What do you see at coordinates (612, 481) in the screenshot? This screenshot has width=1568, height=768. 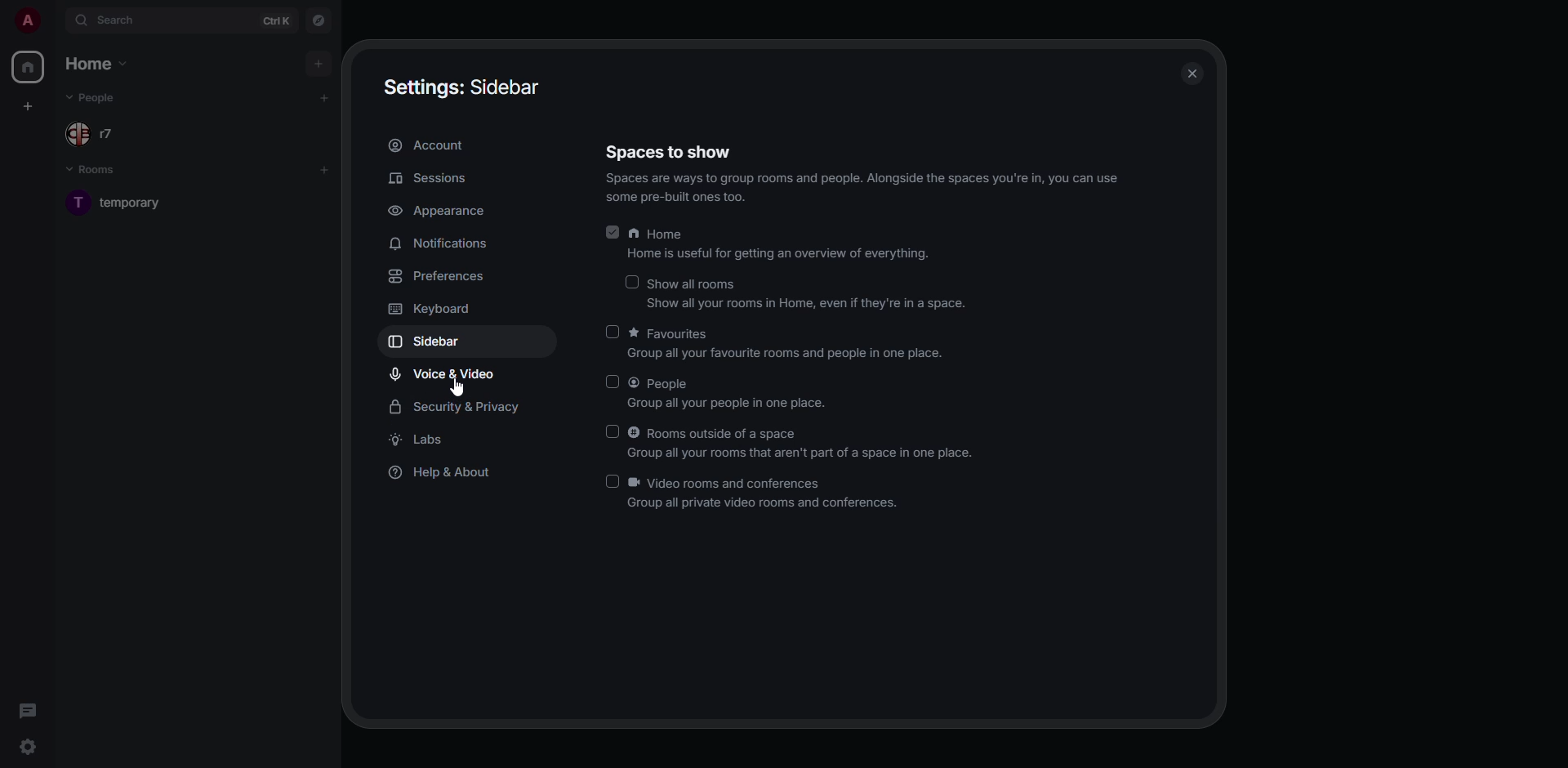 I see `click to enable` at bounding box center [612, 481].